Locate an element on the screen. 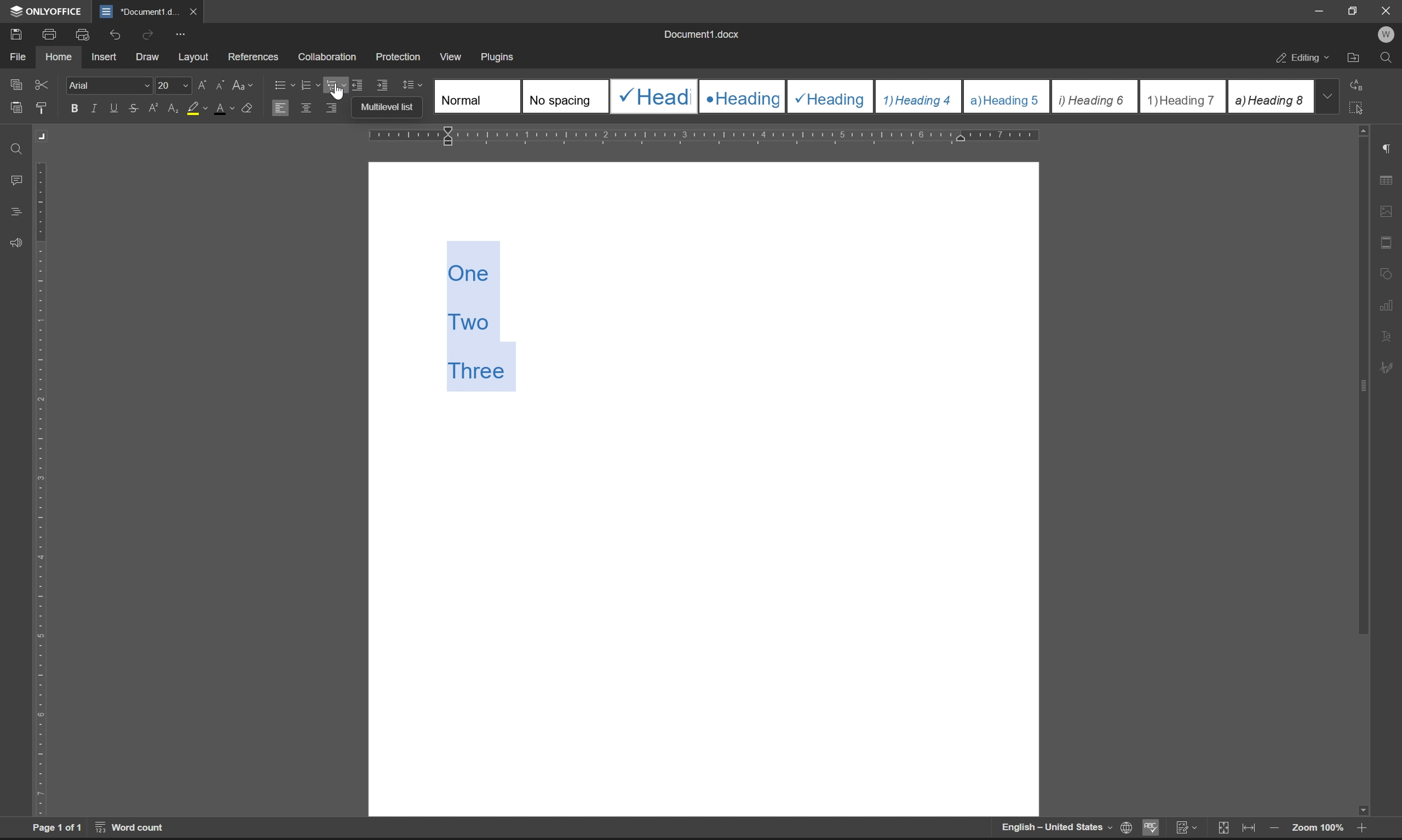 Image resolution: width=1402 pixels, height=840 pixels. customize quick access toolbar is located at coordinates (180, 35).